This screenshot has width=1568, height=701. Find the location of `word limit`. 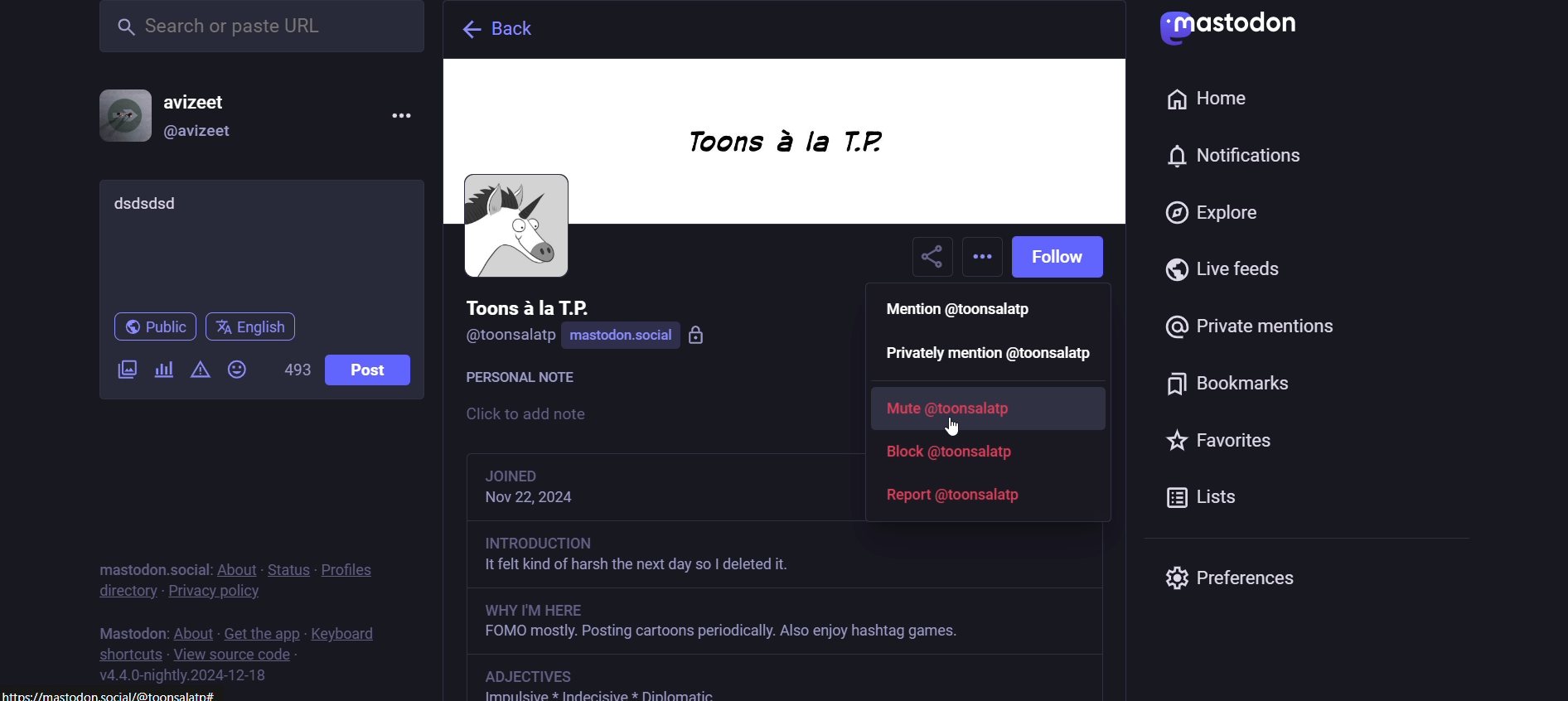

word limit is located at coordinates (295, 375).